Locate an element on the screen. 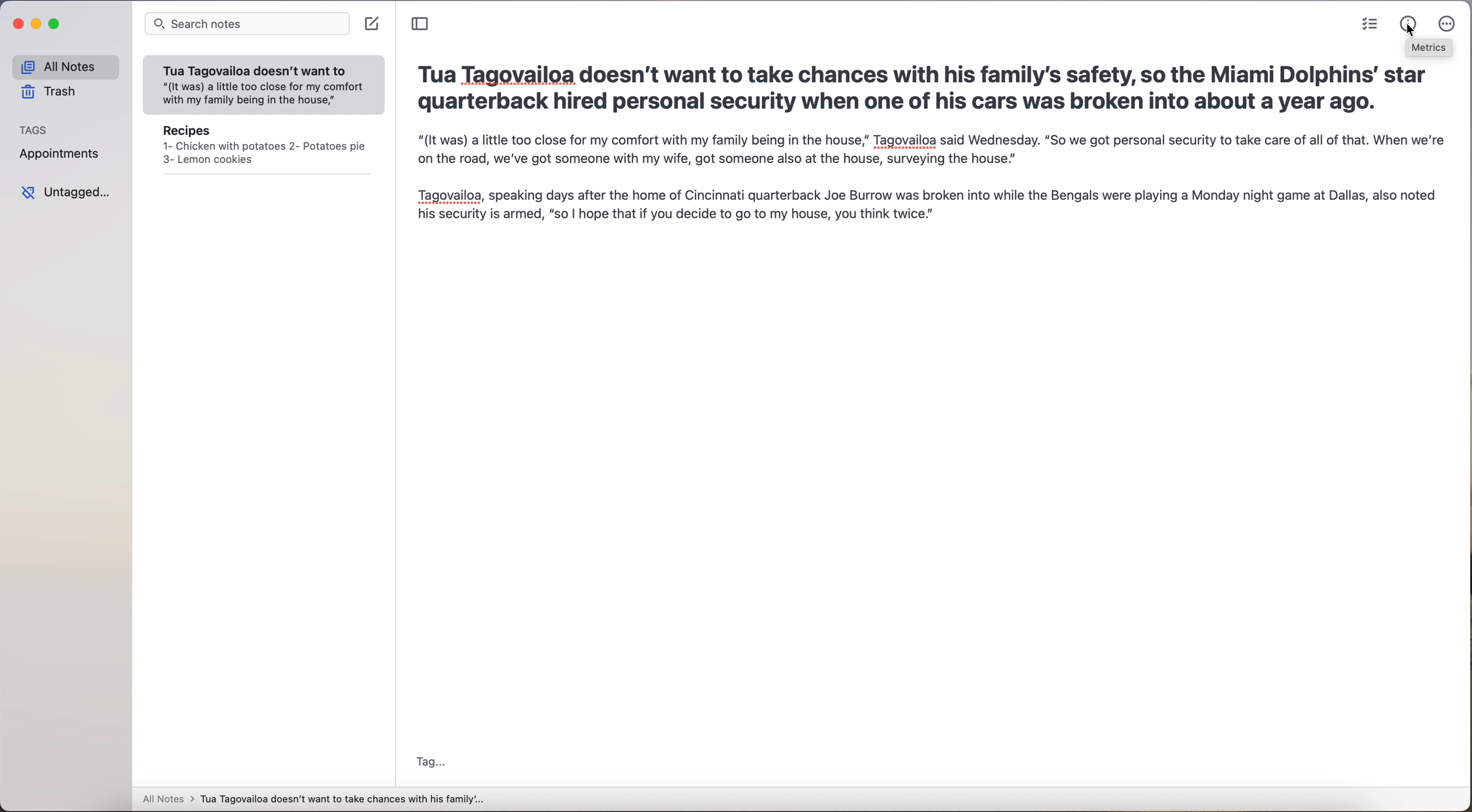 The image size is (1472, 812). click on metrics is located at coordinates (1402, 20).